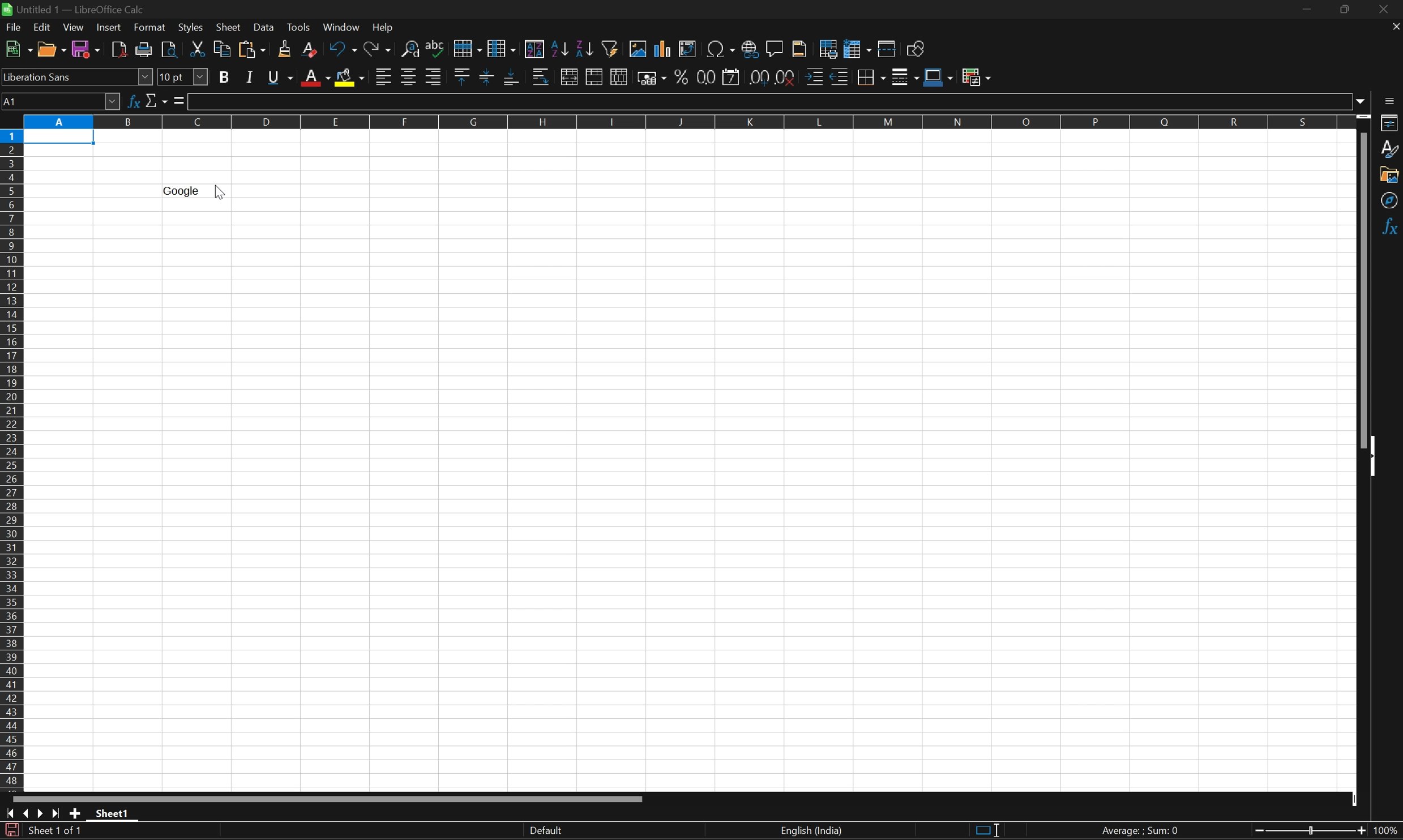  Describe the element at coordinates (341, 27) in the screenshot. I see `Windows` at that location.